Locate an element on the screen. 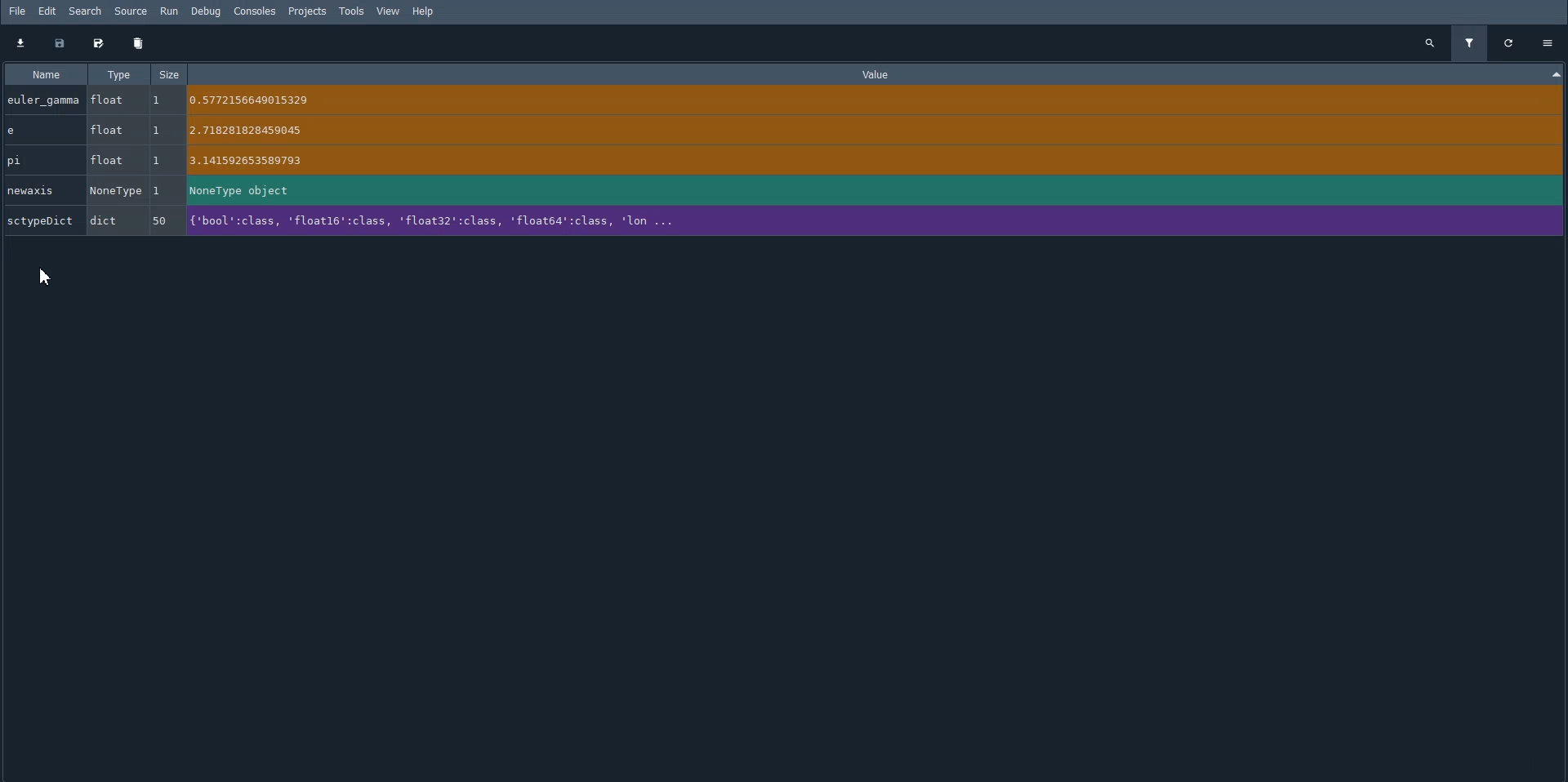 This screenshot has width=1568, height=782. Size is located at coordinates (171, 73).